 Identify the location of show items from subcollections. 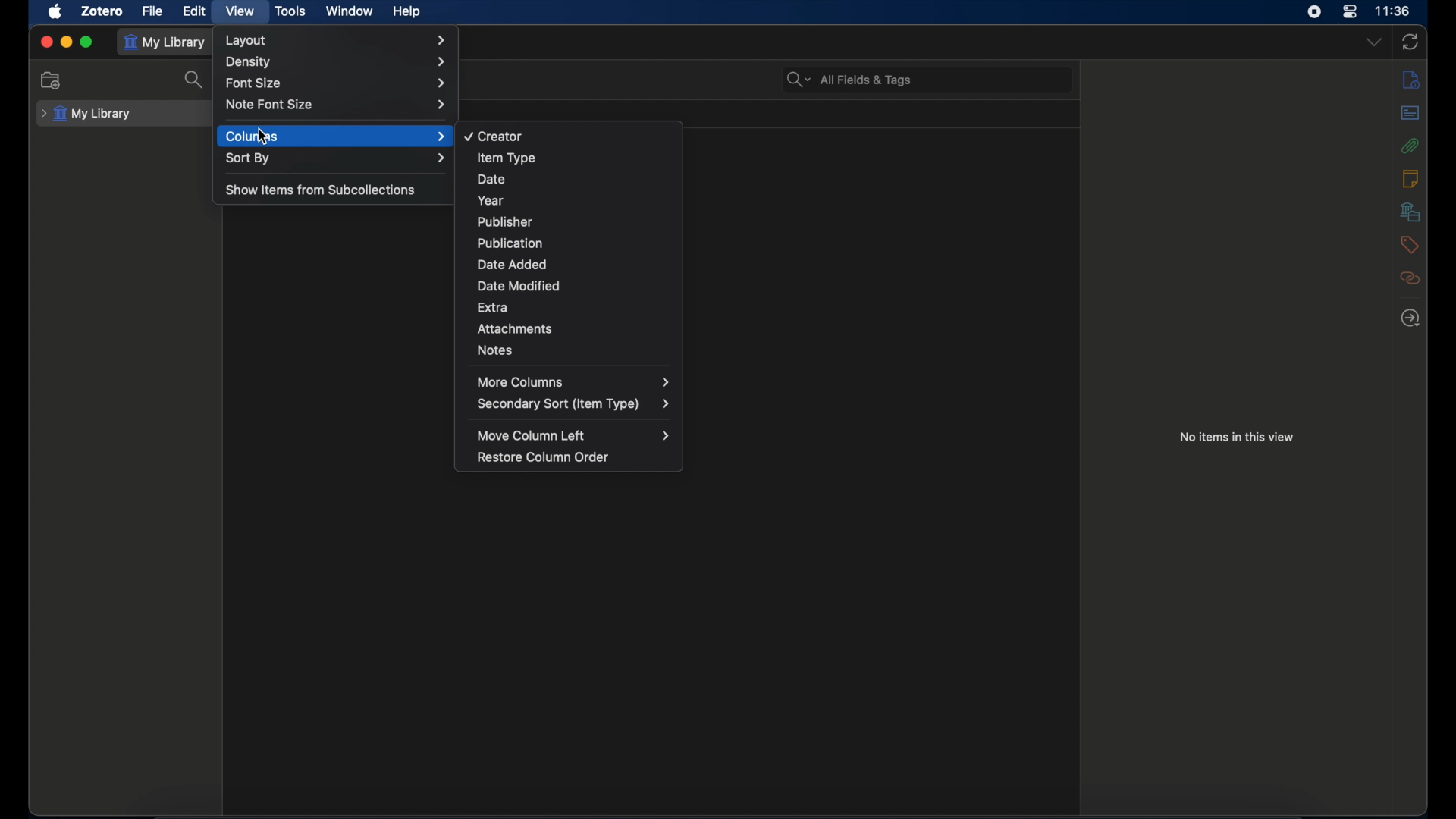
(322, 189).